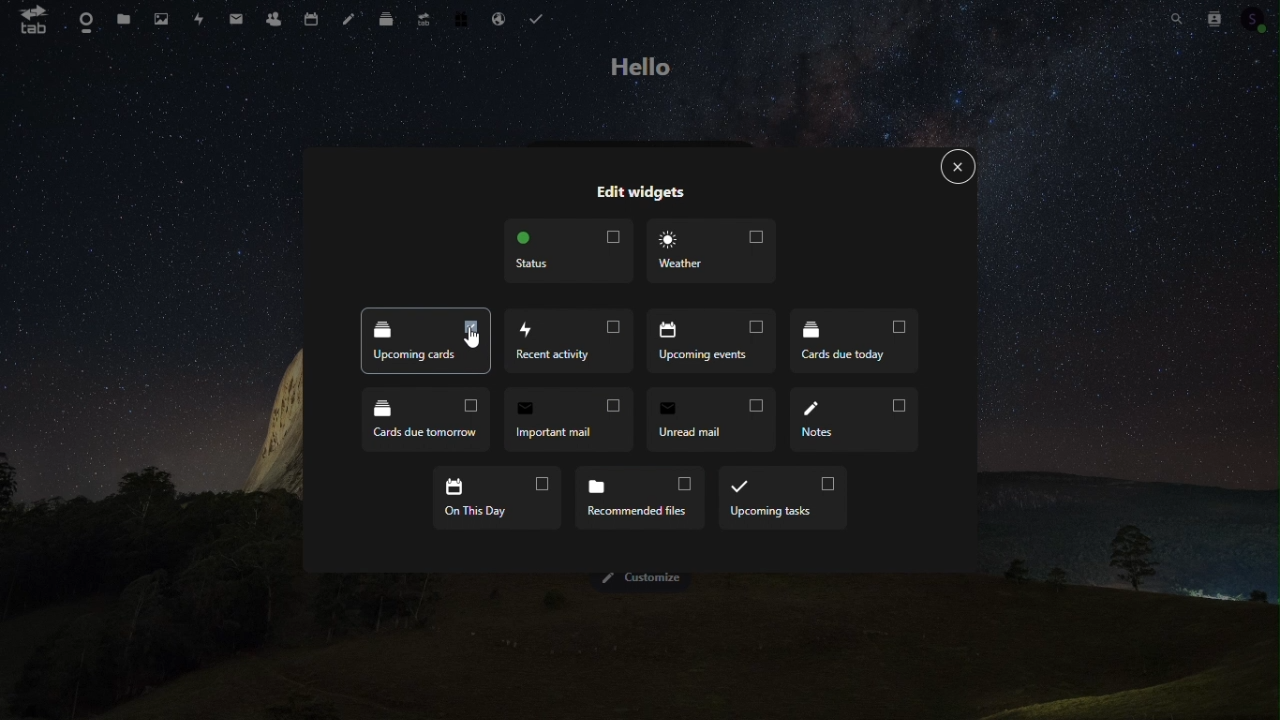 The image size is (1280, 720). Describe the element at coordinates (460, 21) in the screenshot. I see `Free trial` at that location.